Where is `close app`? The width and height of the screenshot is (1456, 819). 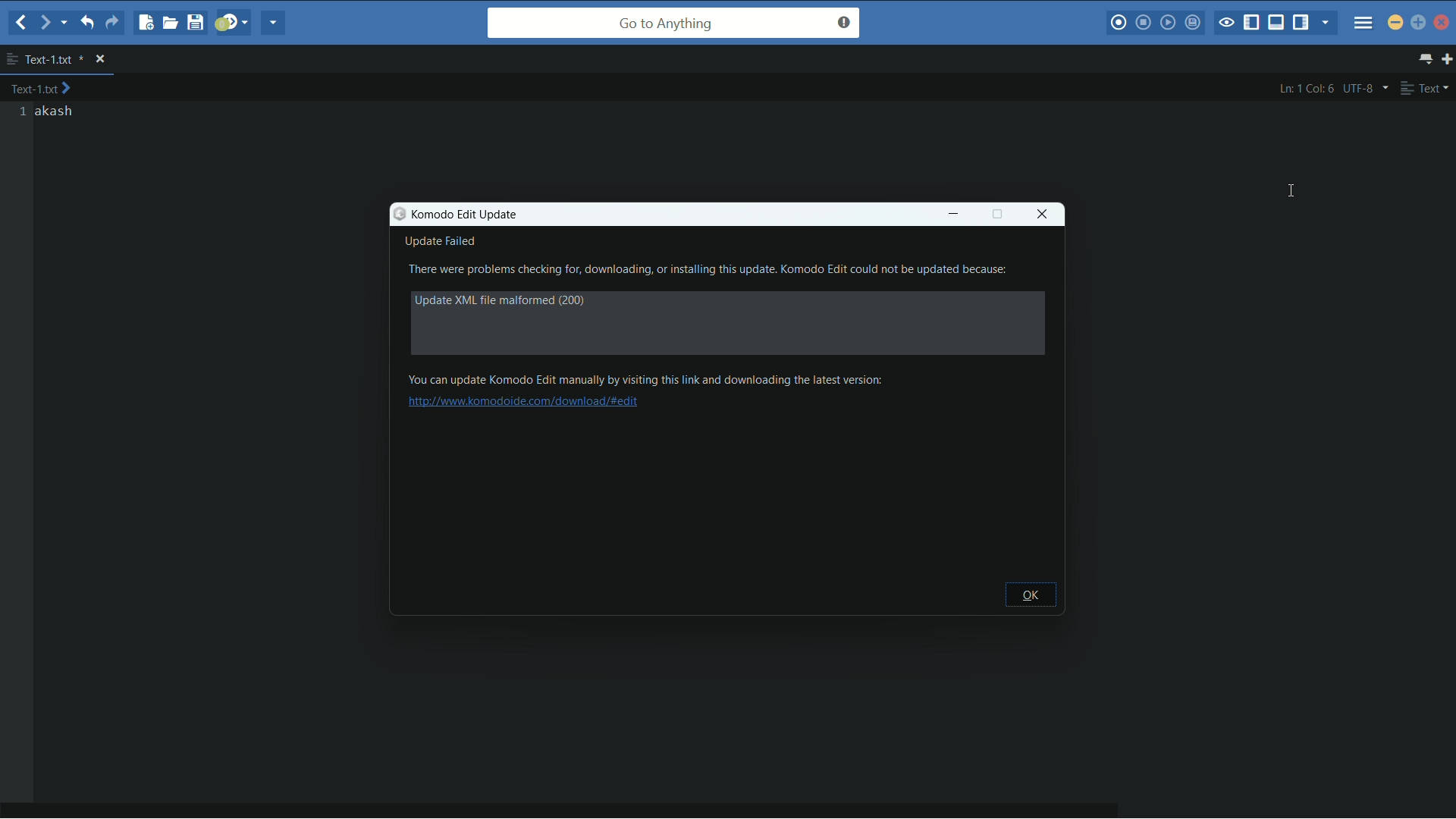 close app is located at coordinates (1445, 23).